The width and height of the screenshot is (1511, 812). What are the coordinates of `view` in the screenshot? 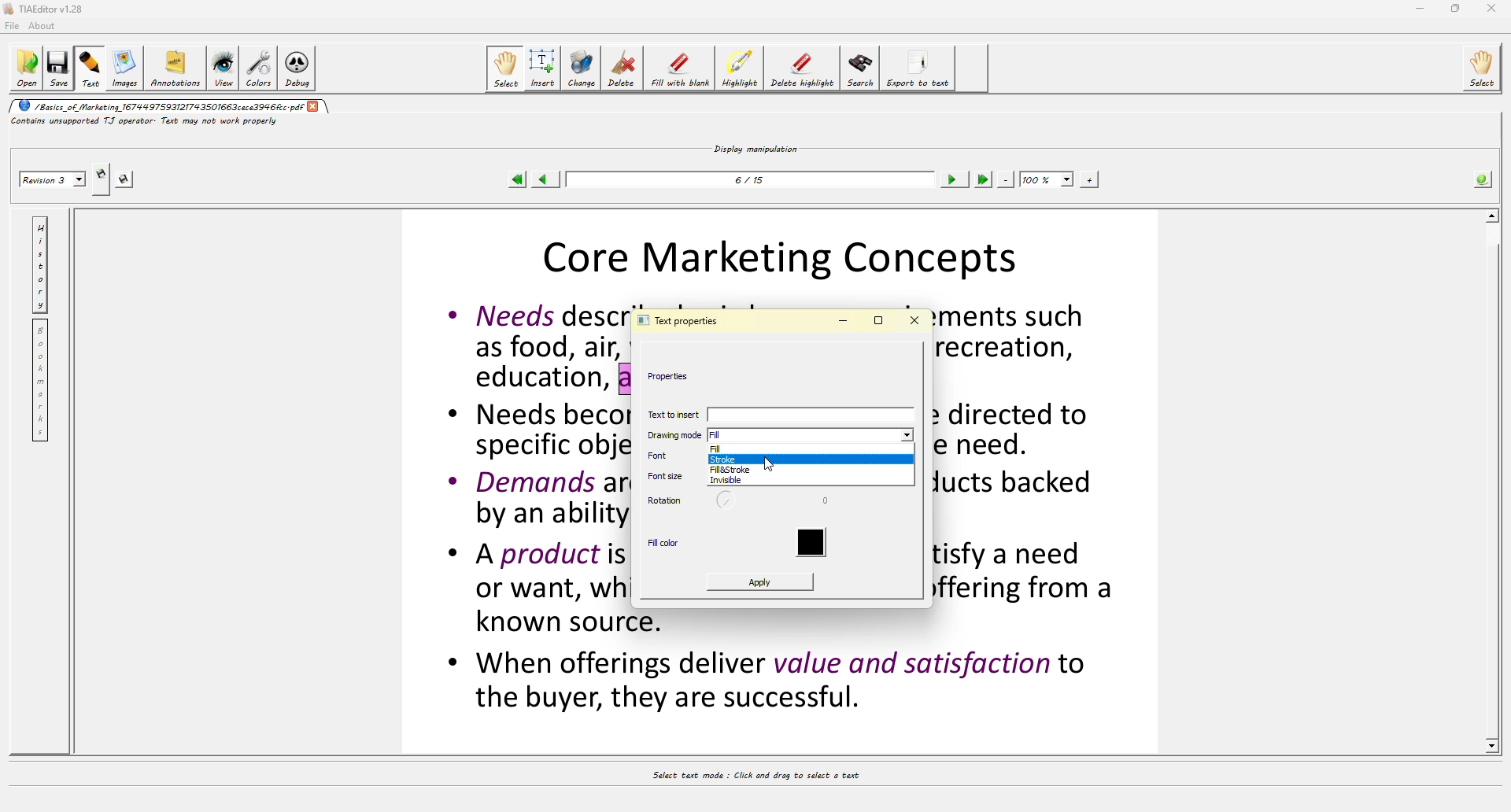 It's located at (223, 67).